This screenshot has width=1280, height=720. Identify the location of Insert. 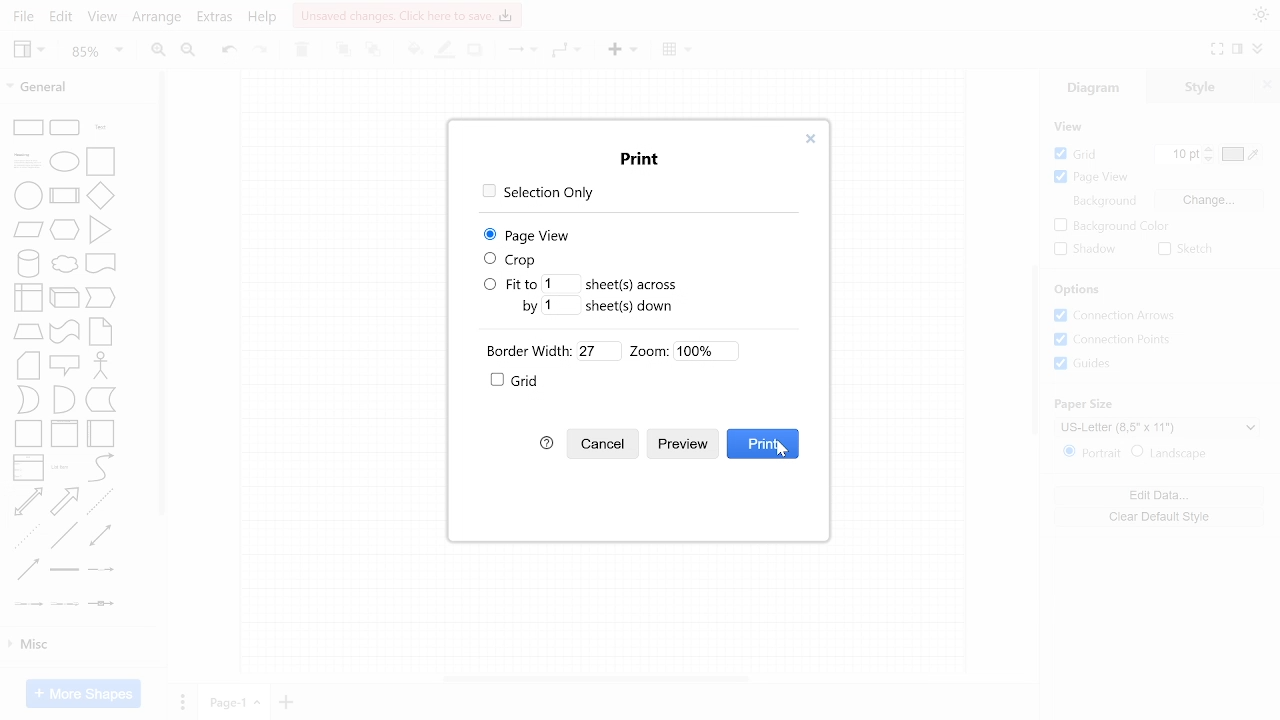
(680, 50).